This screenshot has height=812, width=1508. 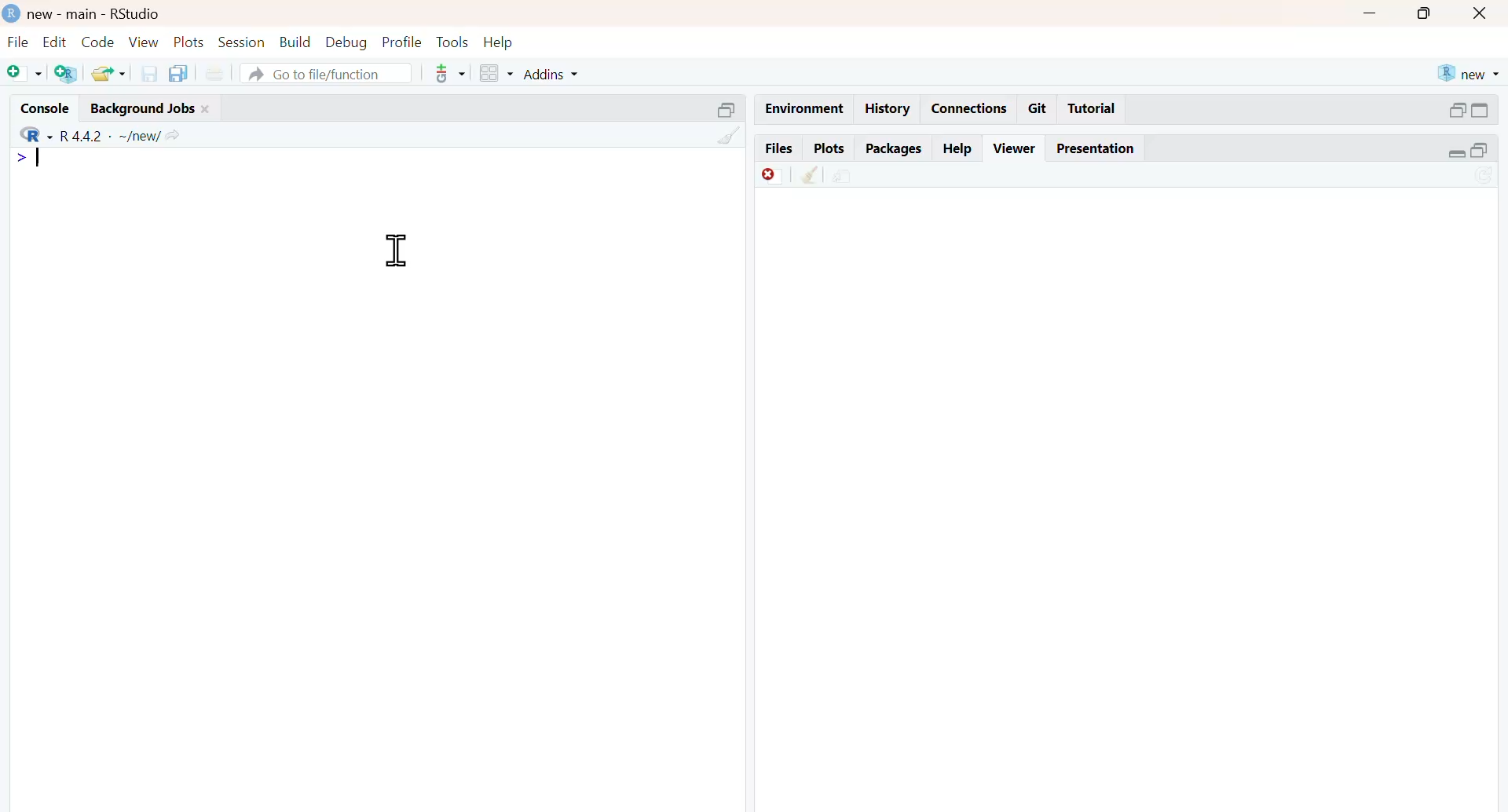 I want to click on connections, so click(x=970, y=109).